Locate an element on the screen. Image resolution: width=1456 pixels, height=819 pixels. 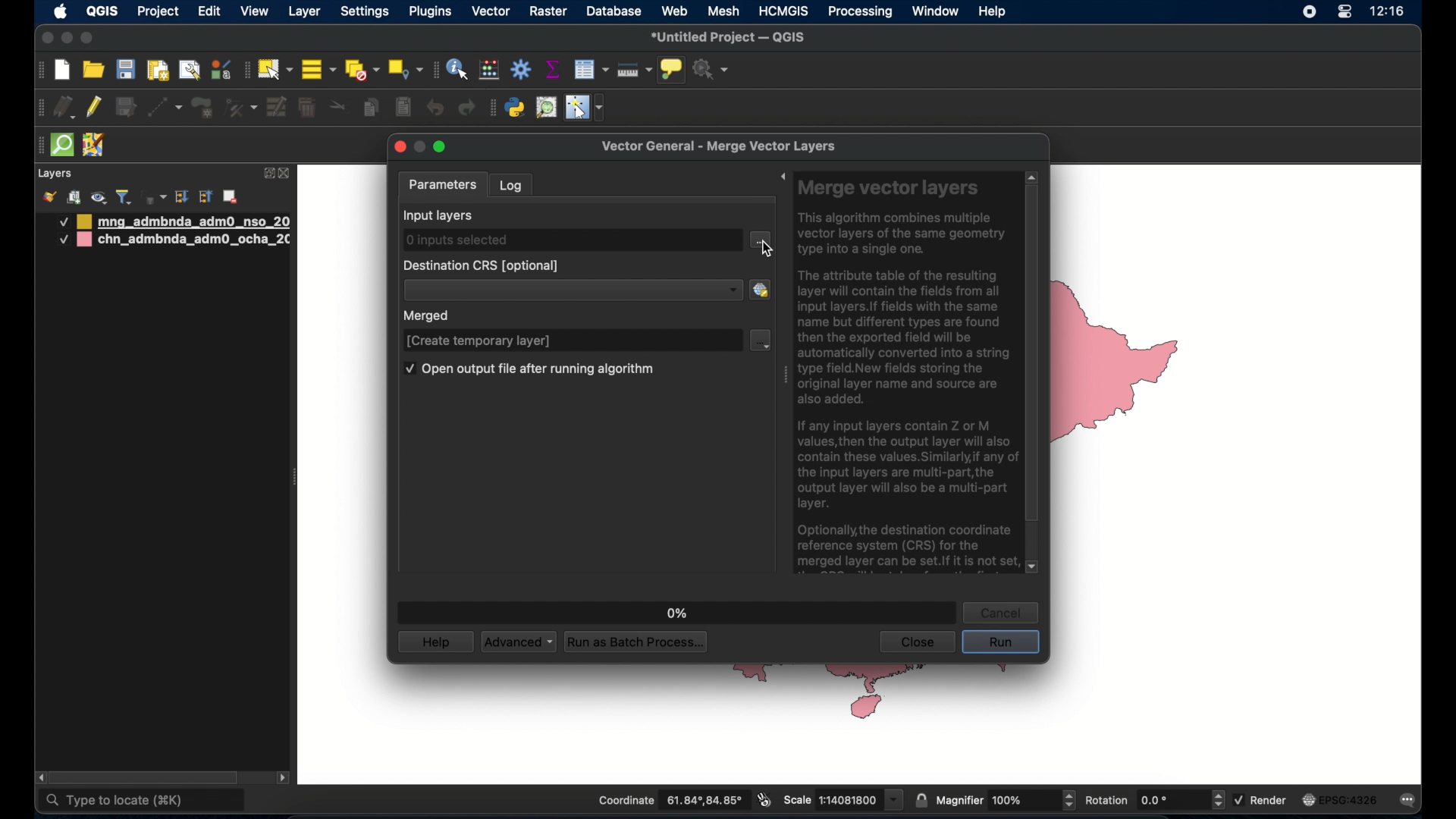
show statistical summary is located at coordinates (551, 69).